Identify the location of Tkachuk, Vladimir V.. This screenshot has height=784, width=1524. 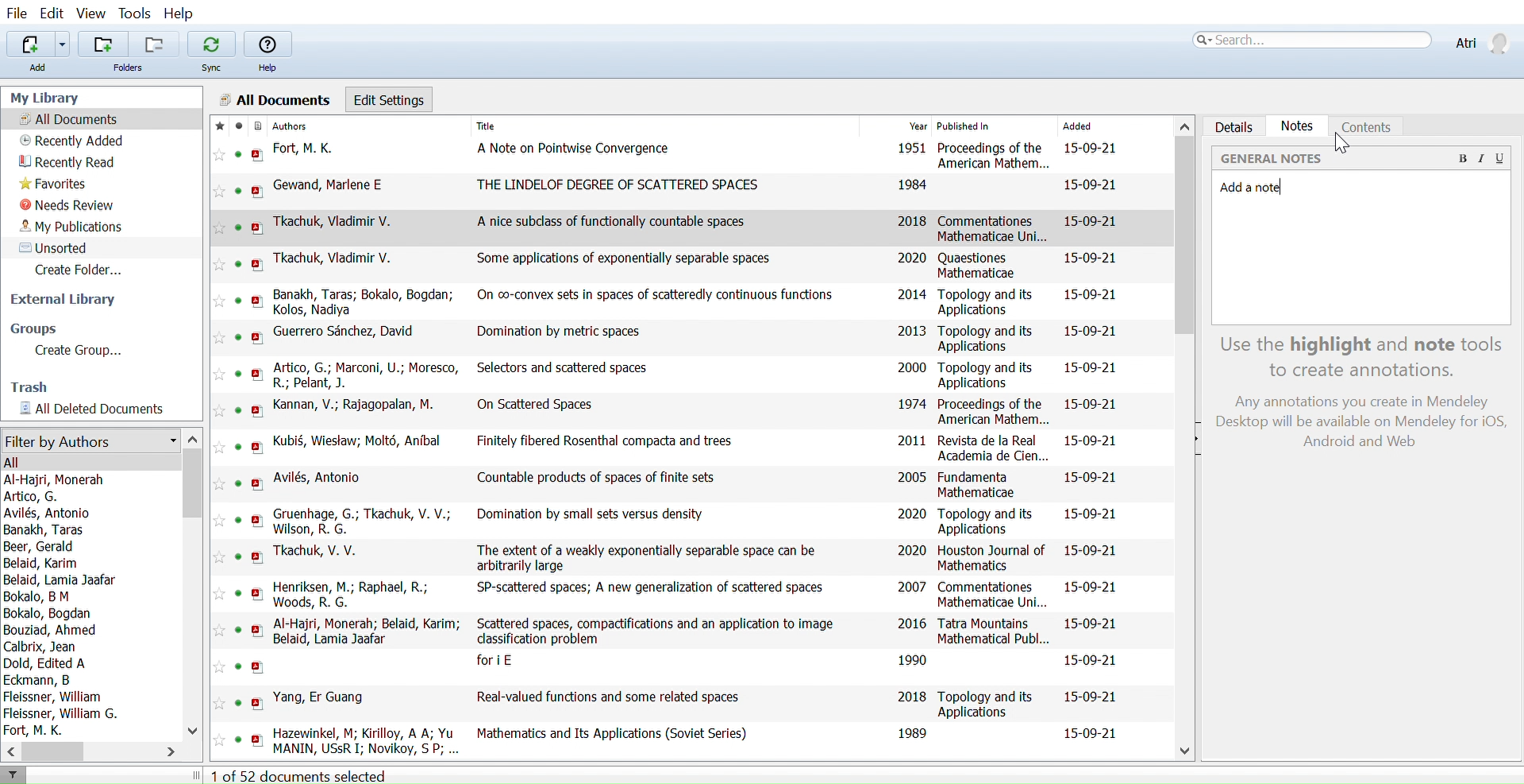
(333, 258).